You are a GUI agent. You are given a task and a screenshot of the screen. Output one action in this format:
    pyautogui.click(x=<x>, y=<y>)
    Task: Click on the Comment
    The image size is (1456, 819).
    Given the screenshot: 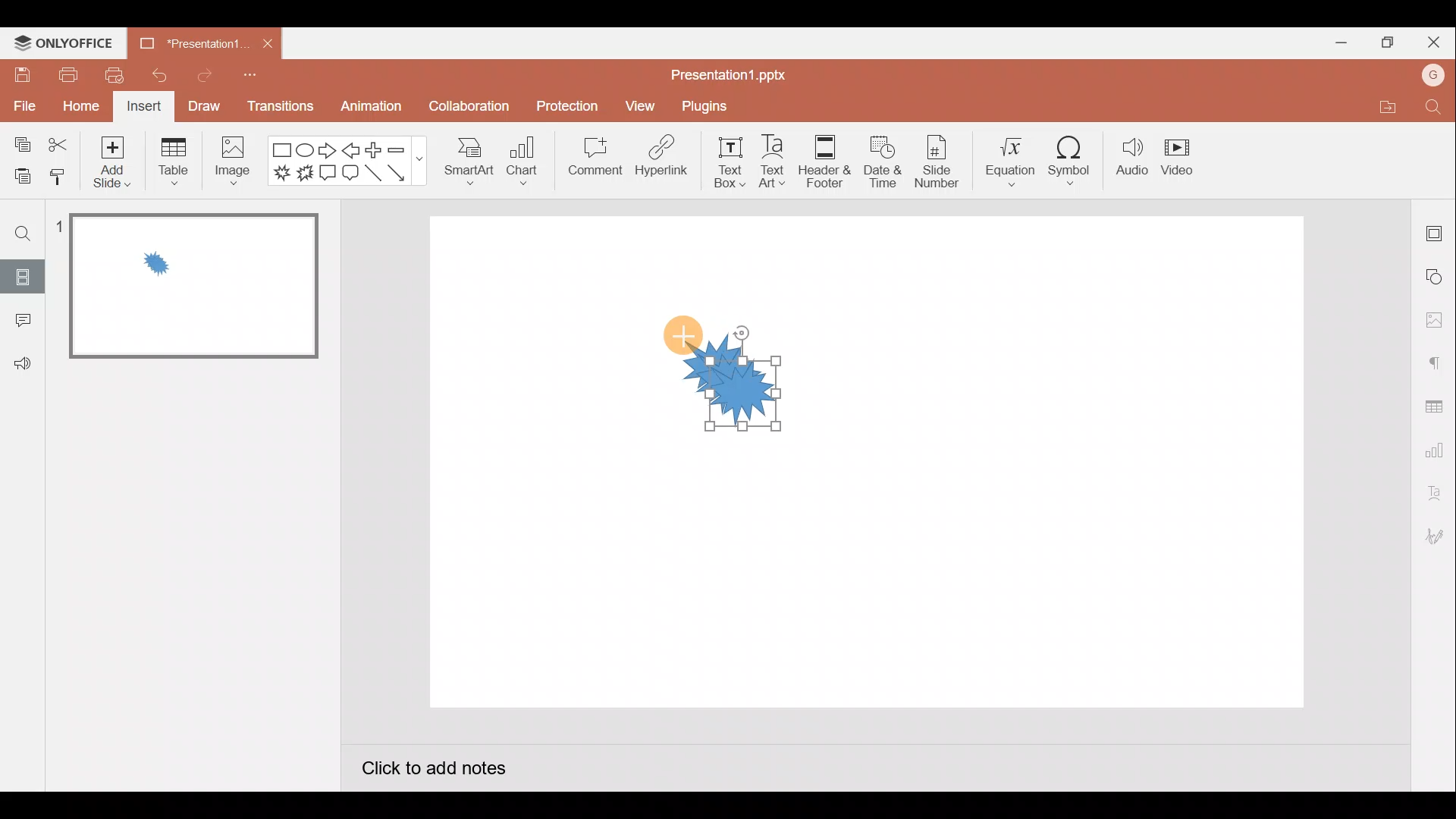 What is the action you would take?
    pyautogui.click(x=592, y=161)
    